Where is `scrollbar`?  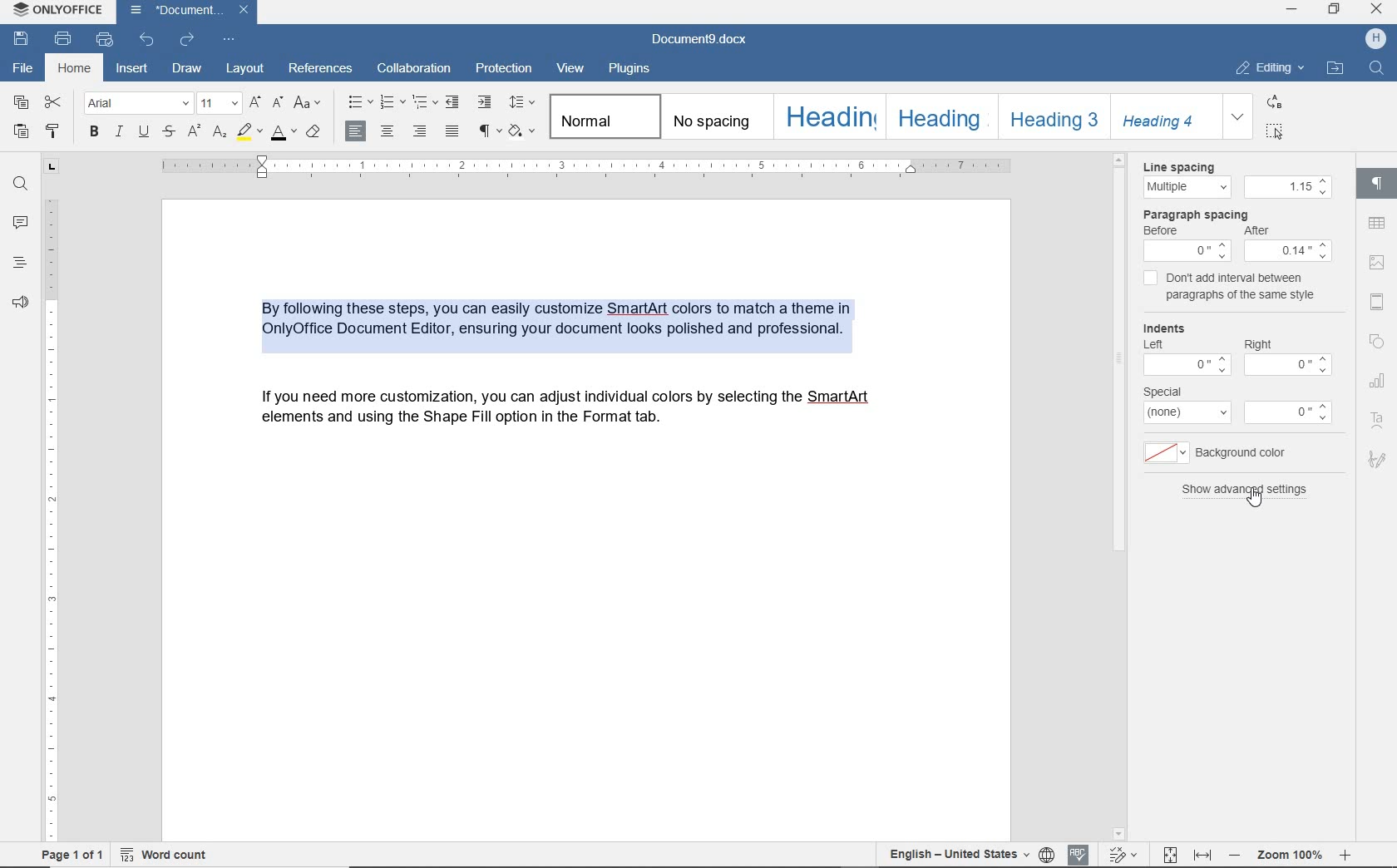
scrollbar is located at coordinates (1119, 456).